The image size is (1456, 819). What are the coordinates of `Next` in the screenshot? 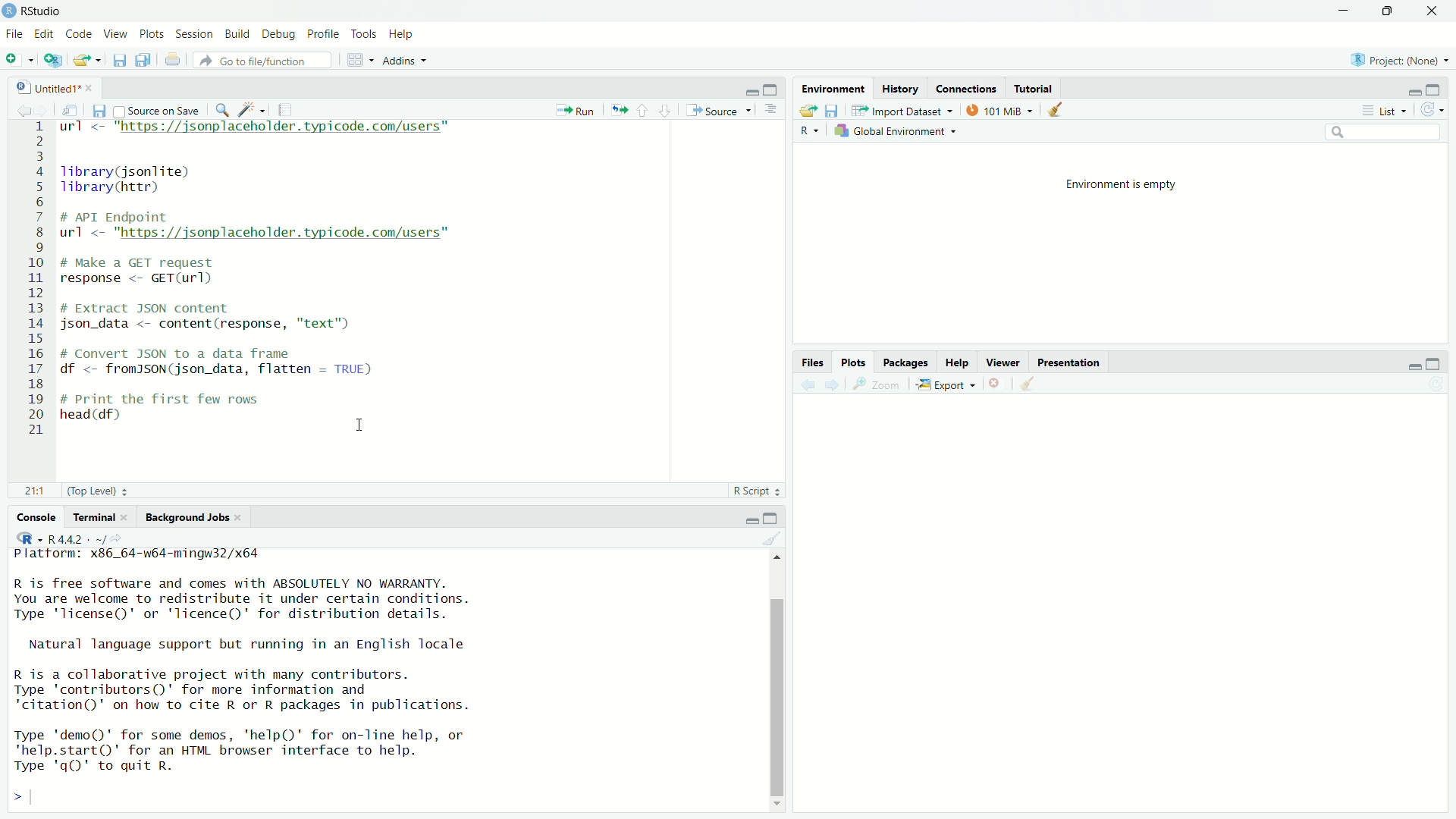 It's located at (42, 111).